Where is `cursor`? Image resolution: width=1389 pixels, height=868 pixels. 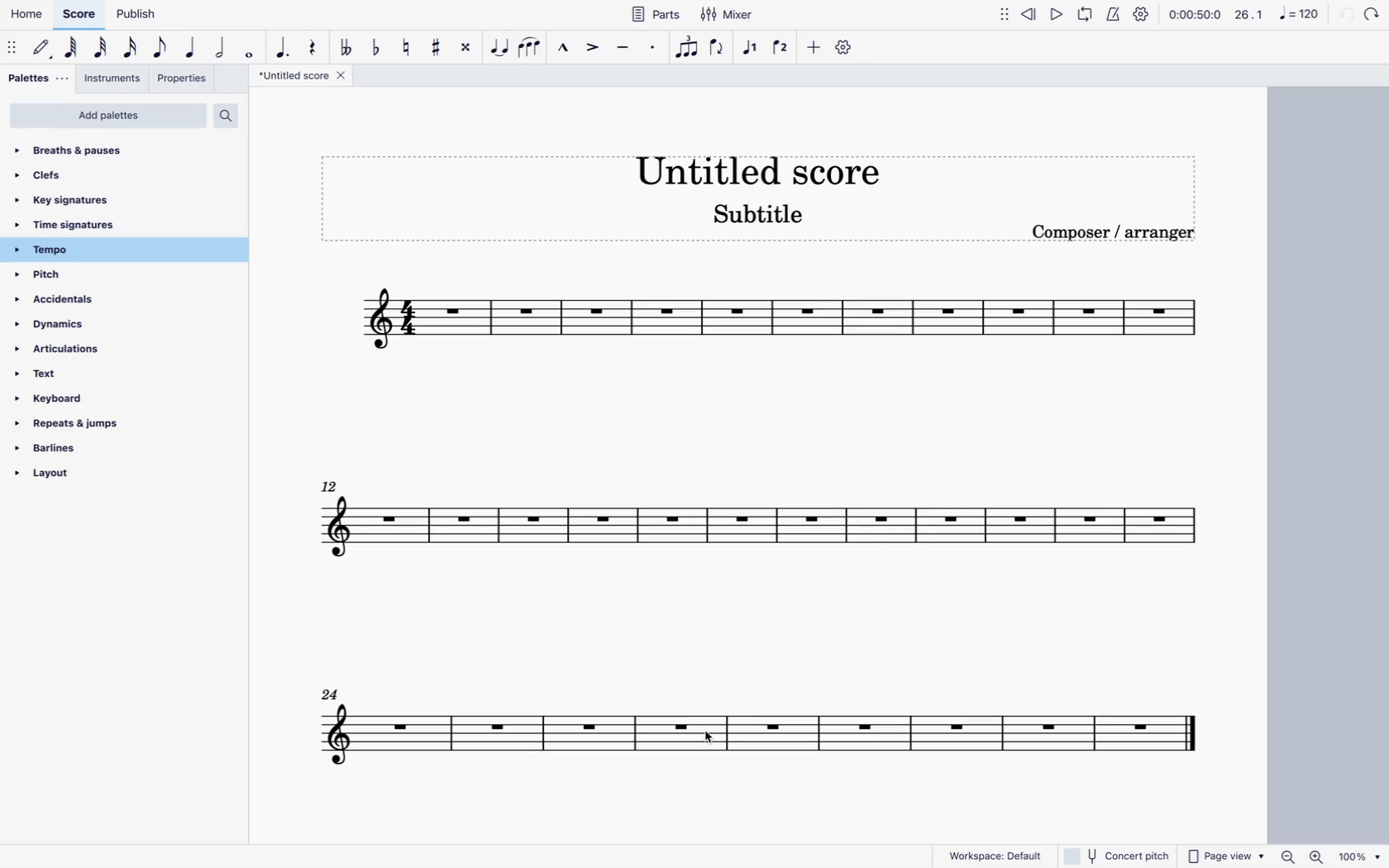 cursor is located at coordinates (707, 736).